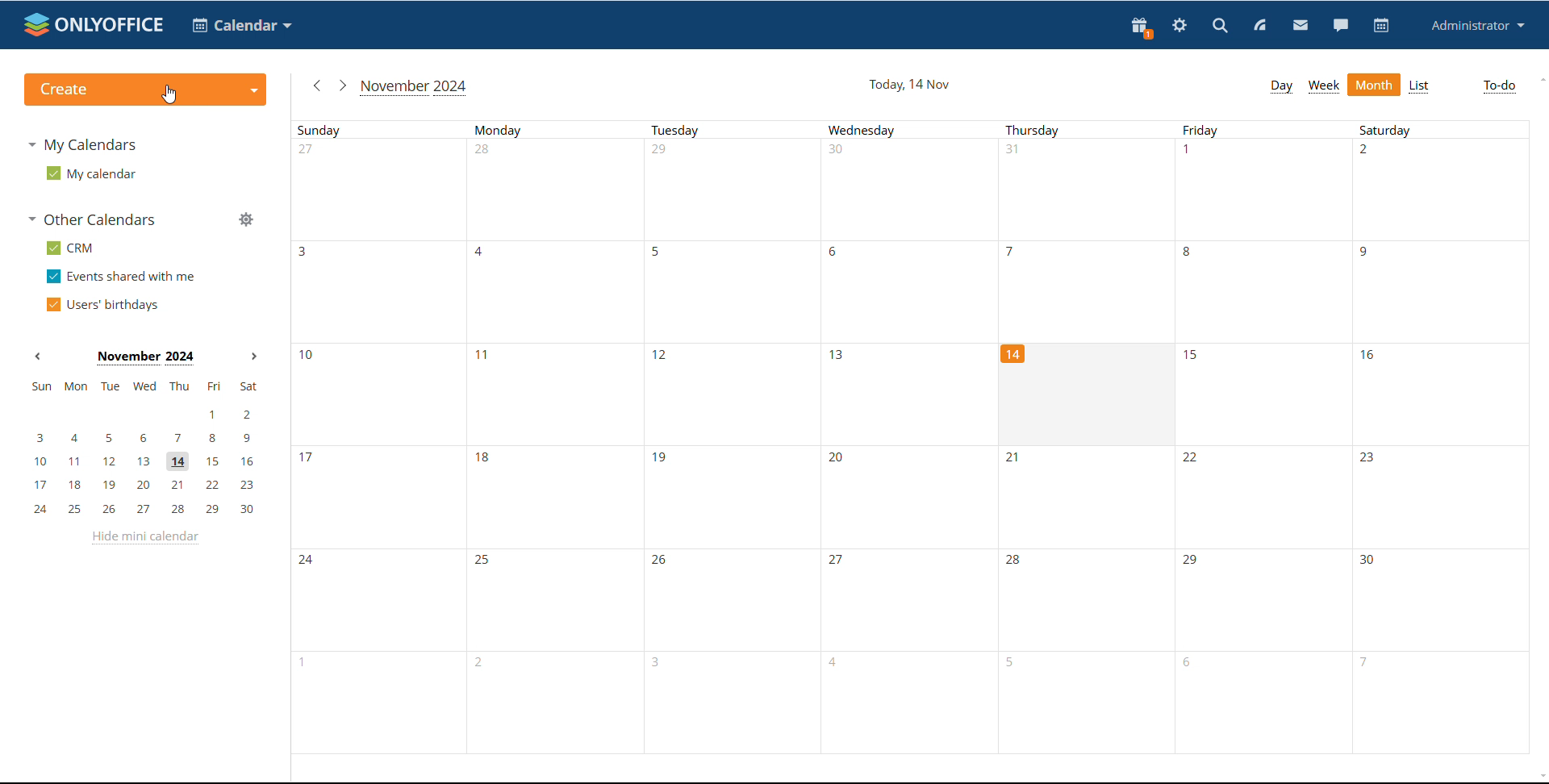 The width and height of the screenshot is (1549, 784). Describe the element at coordinates (247, 221) in the screenshot. I see `manage` at that location.